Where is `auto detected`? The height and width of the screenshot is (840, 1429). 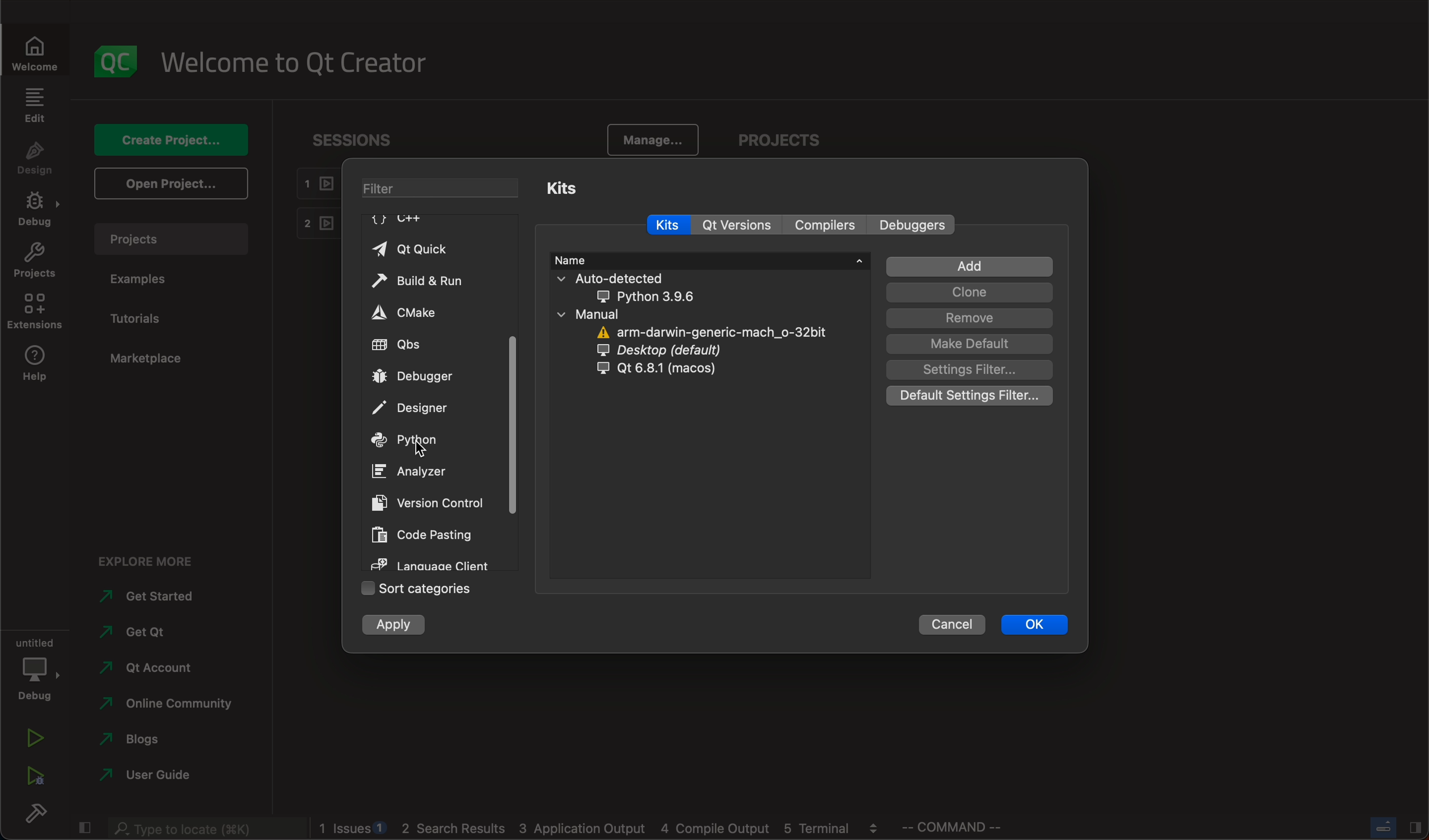 auto detected is located at coordinates (649, 287).